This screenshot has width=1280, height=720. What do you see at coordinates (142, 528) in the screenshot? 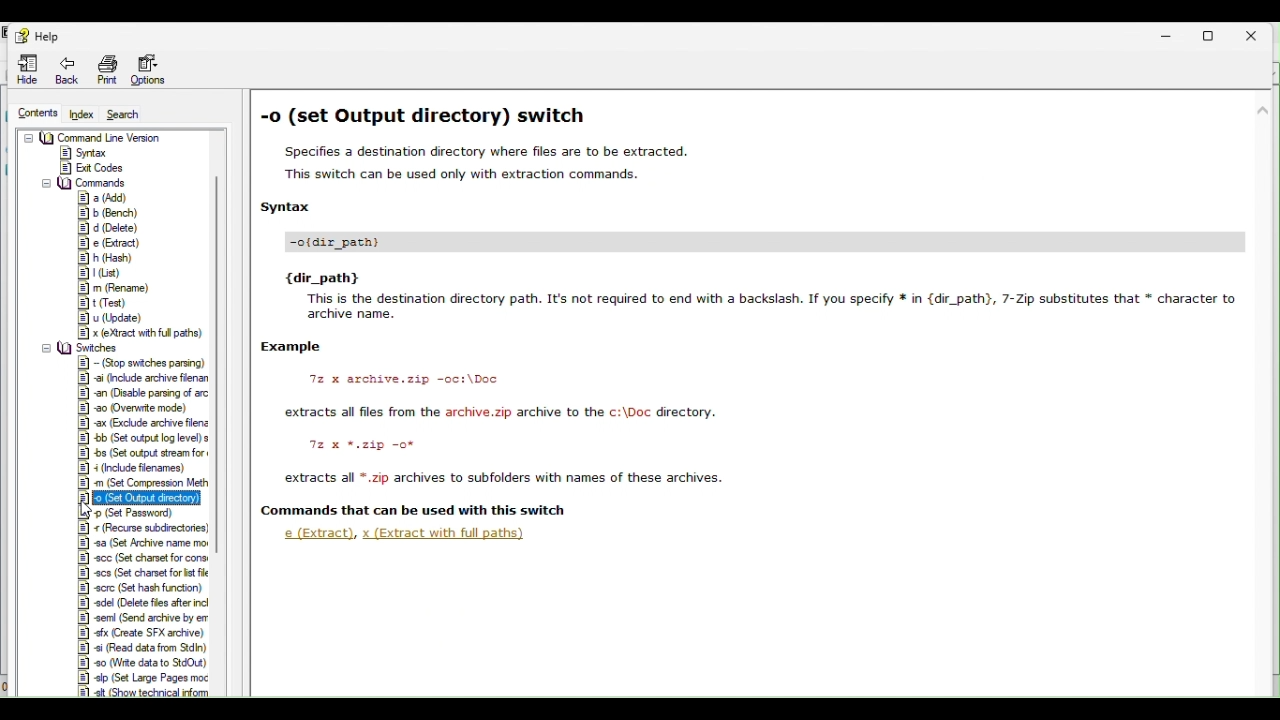
I see `recurse subdirectories` at bounding box center [142, 528].